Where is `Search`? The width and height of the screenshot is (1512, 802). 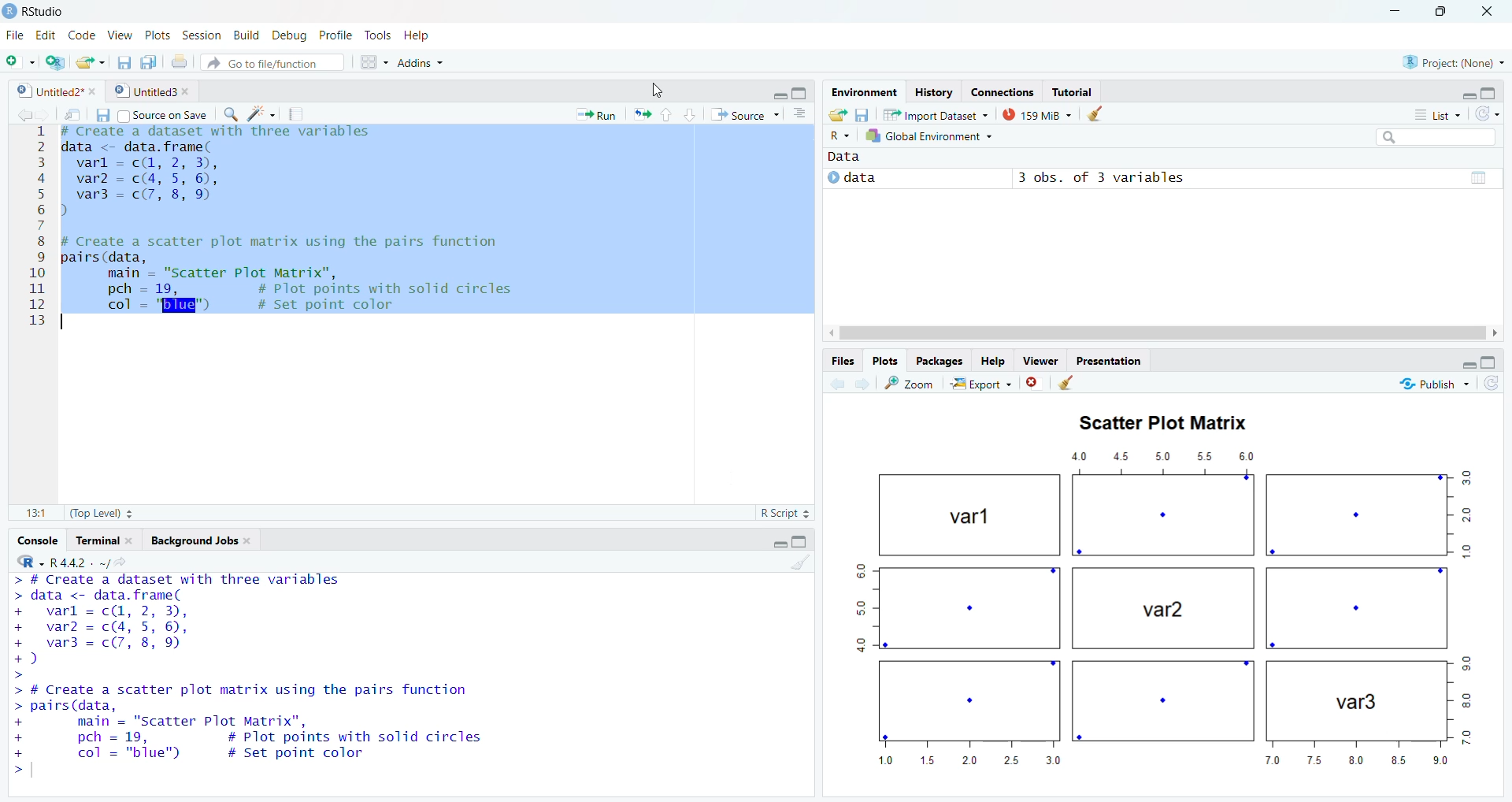 Search is located at coordinates (1441, 135).